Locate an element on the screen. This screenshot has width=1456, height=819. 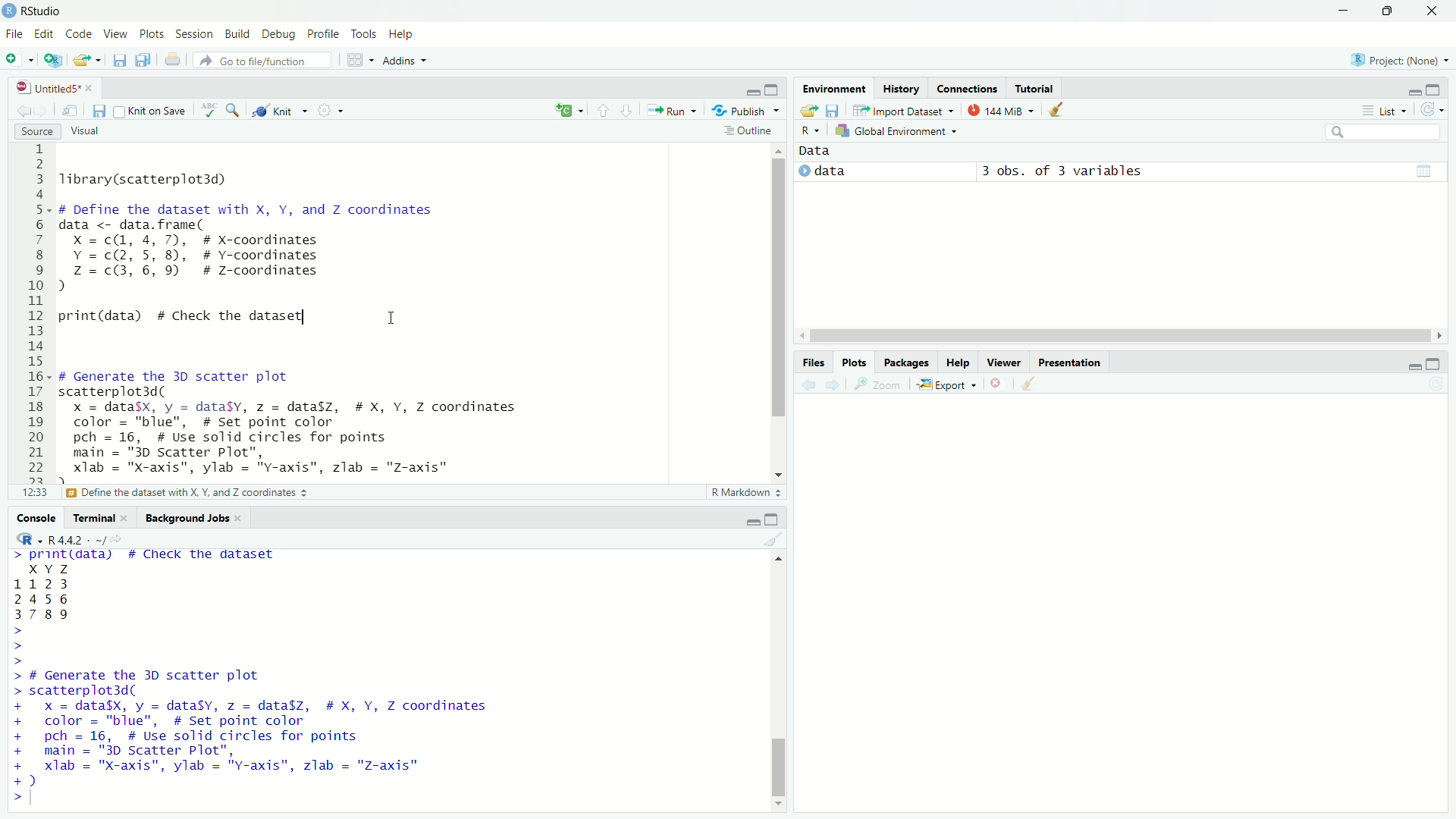
files is located at coordinates (811, 362).